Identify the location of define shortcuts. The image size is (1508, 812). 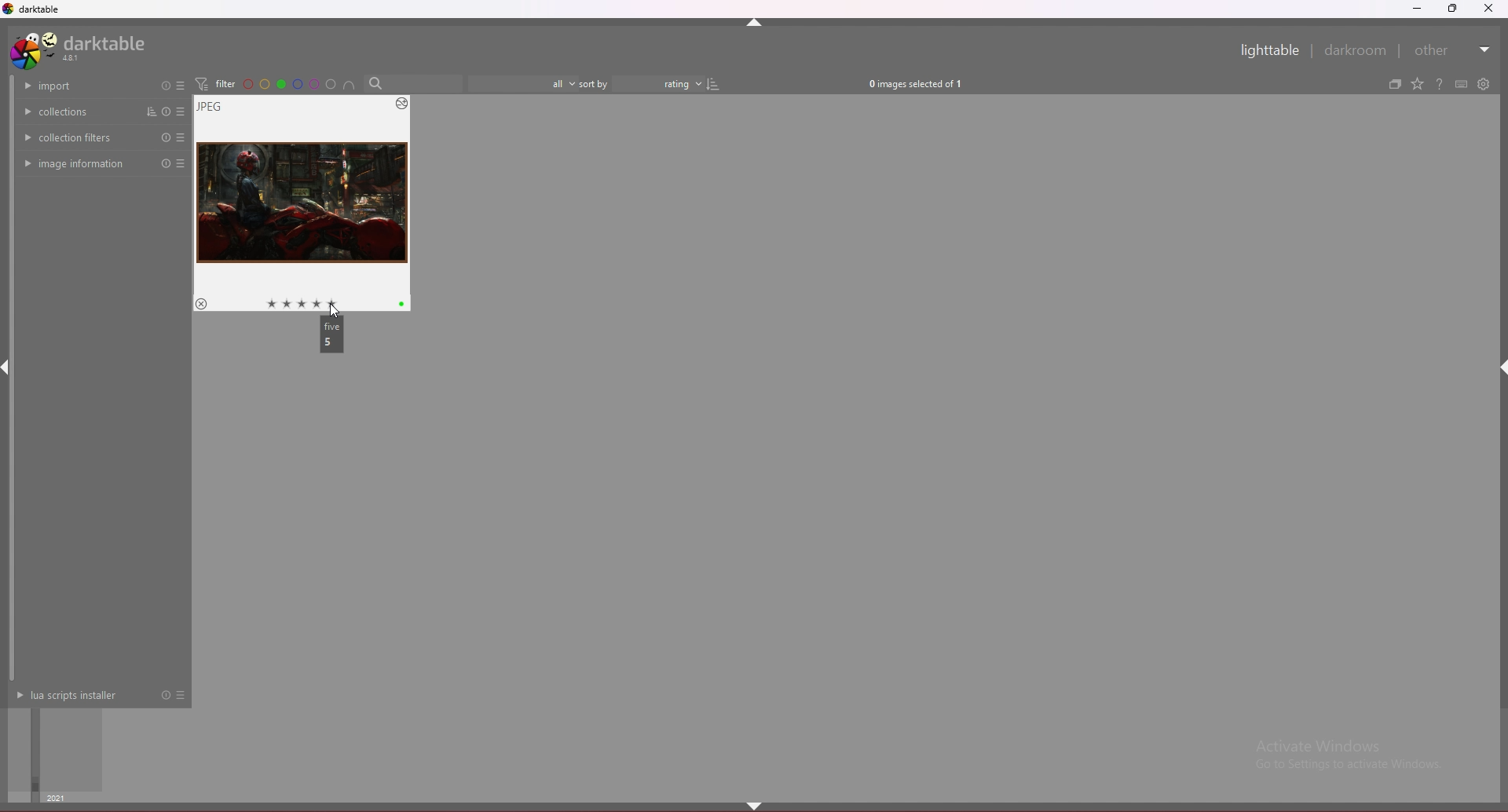
(1462, 84).